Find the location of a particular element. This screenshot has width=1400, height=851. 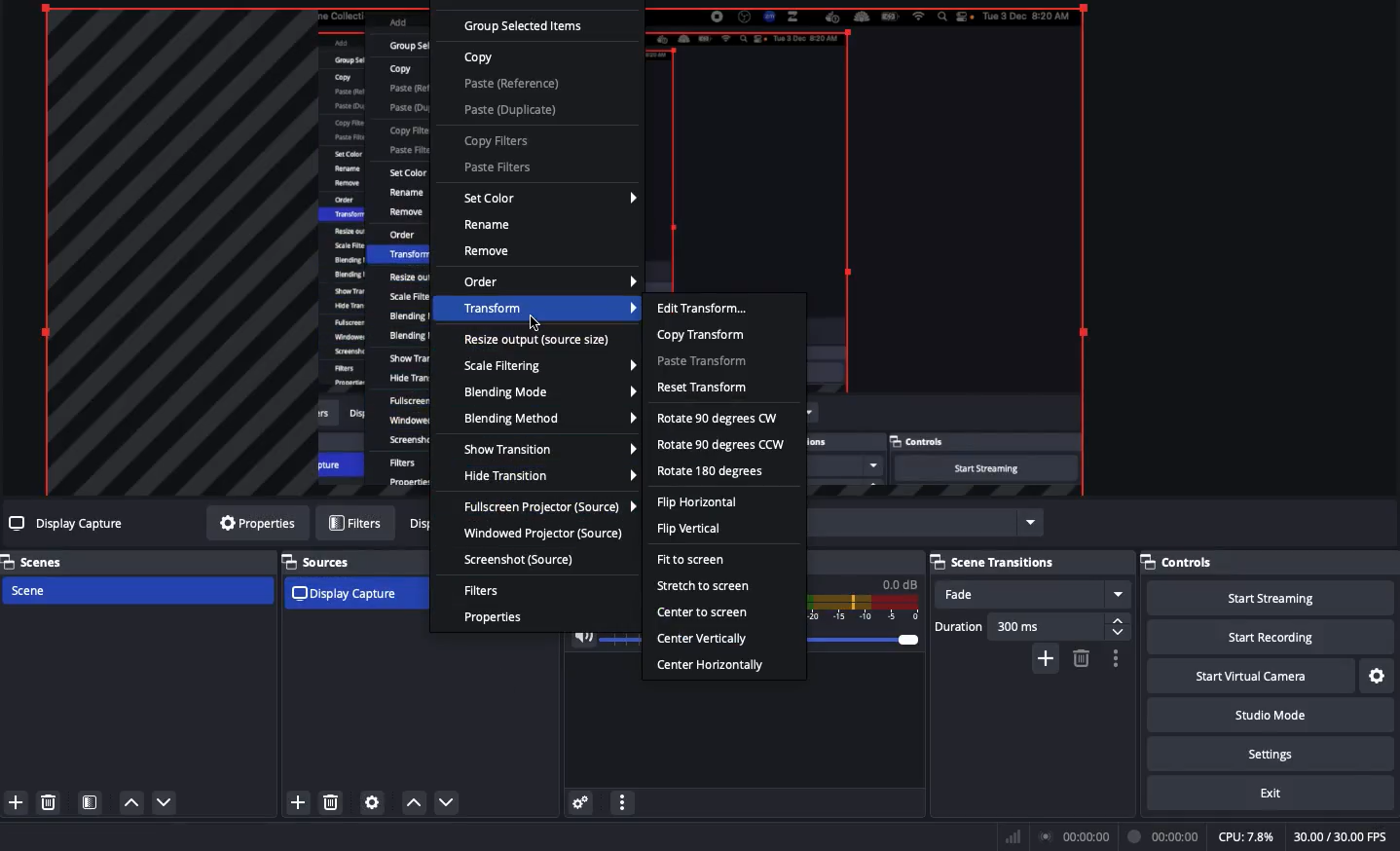

move down is located at coordinates (450, 803).